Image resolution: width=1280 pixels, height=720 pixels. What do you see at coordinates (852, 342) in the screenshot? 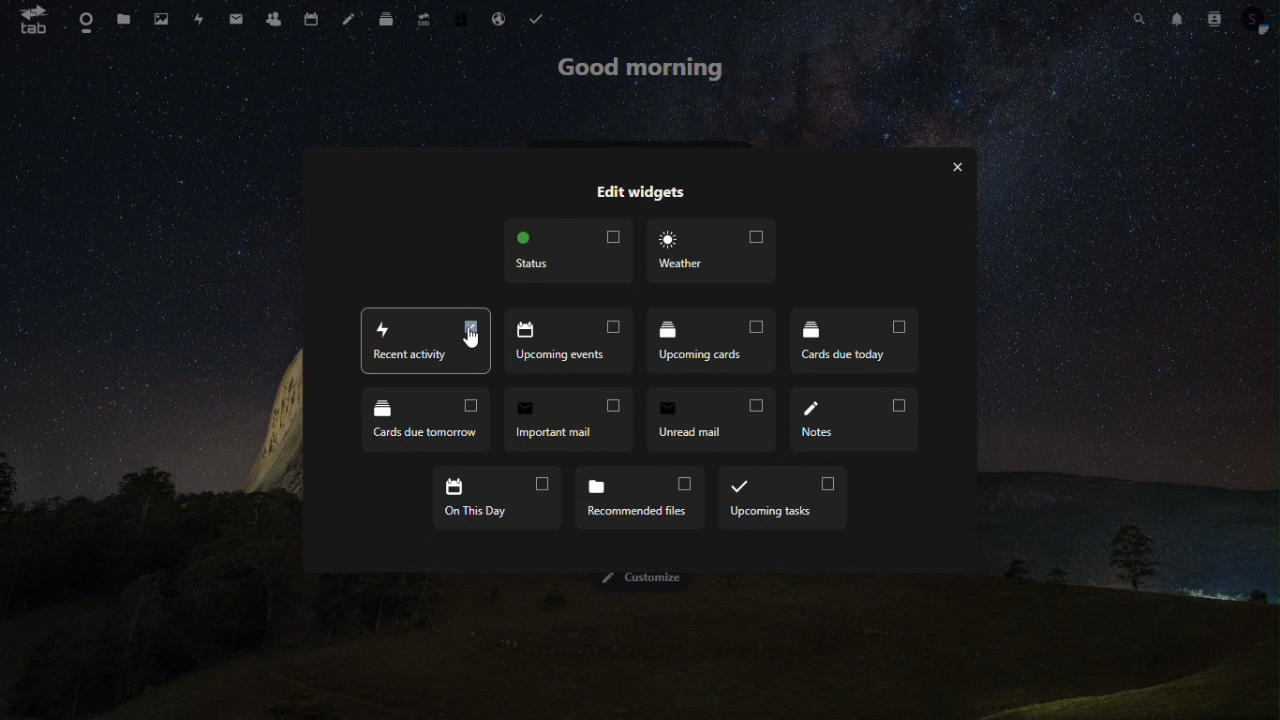
I see `cards due today` at bounding box center [852, 342].